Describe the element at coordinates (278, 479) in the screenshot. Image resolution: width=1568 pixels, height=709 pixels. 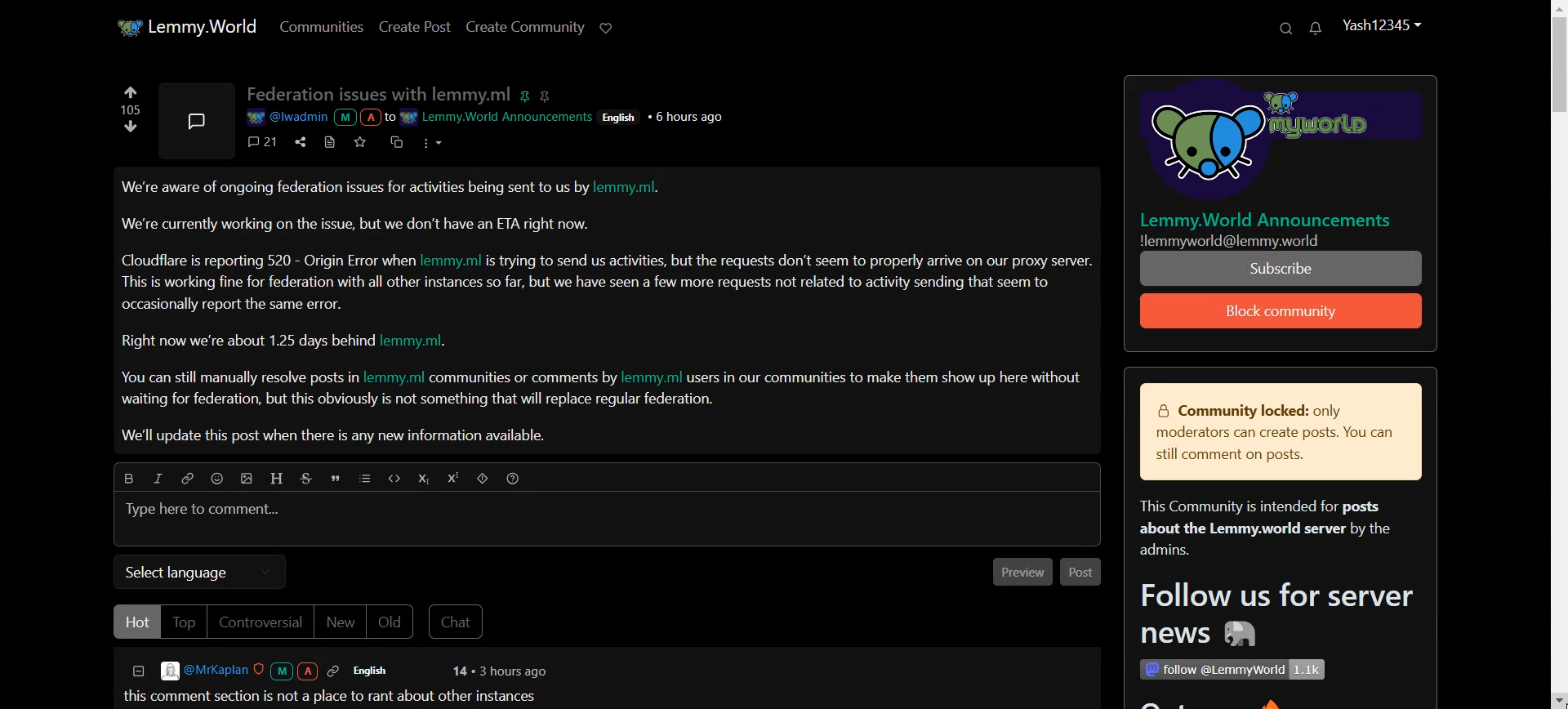
I see `Header` at that location.